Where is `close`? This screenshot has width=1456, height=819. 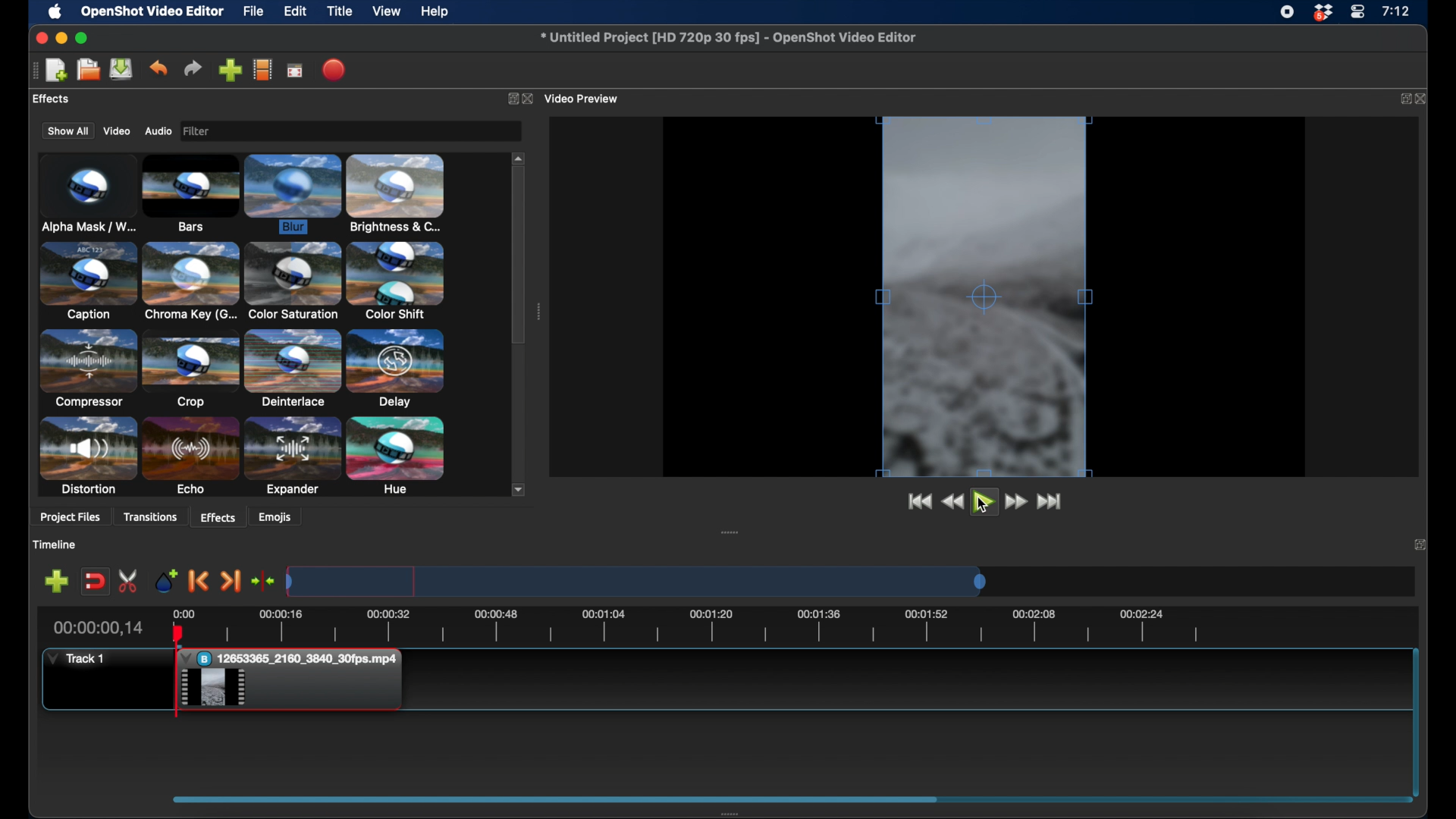 close is located at coordinates (40, 38).